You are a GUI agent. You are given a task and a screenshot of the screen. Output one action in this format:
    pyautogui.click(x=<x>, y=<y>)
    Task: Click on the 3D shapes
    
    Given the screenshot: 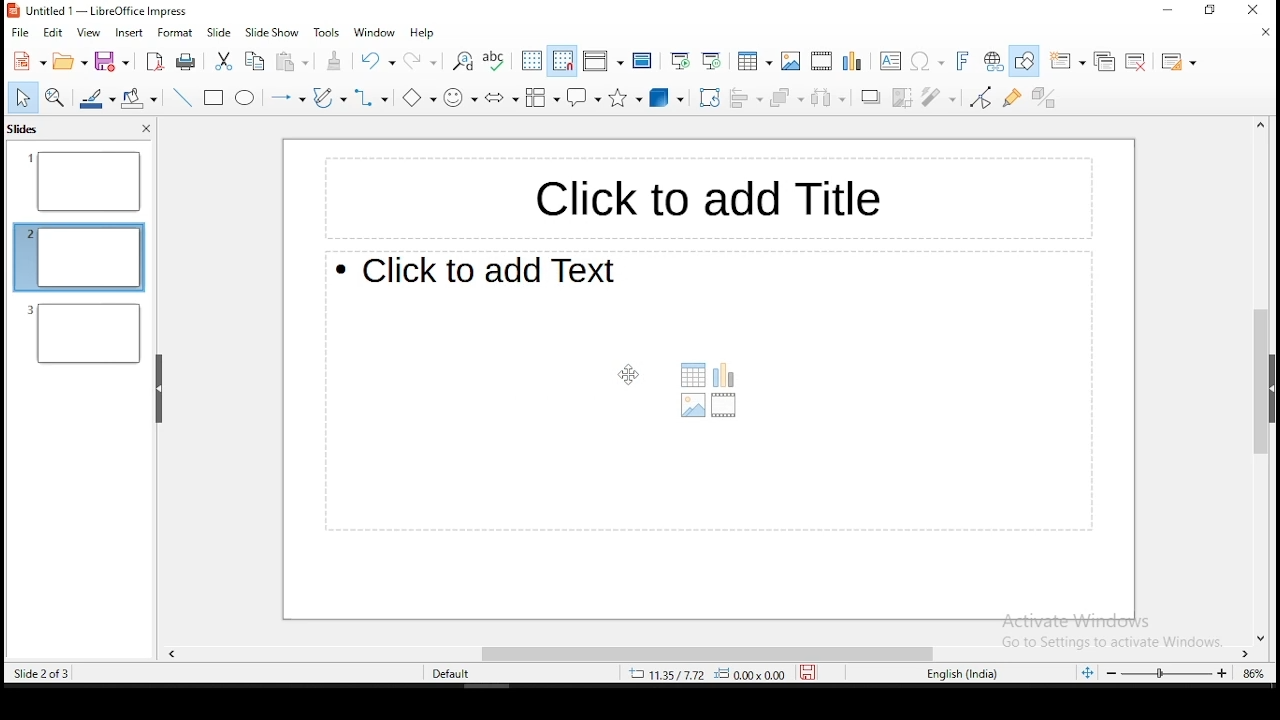 What is the action you would take?
    pyautogui.click(x=668, y=99)
    